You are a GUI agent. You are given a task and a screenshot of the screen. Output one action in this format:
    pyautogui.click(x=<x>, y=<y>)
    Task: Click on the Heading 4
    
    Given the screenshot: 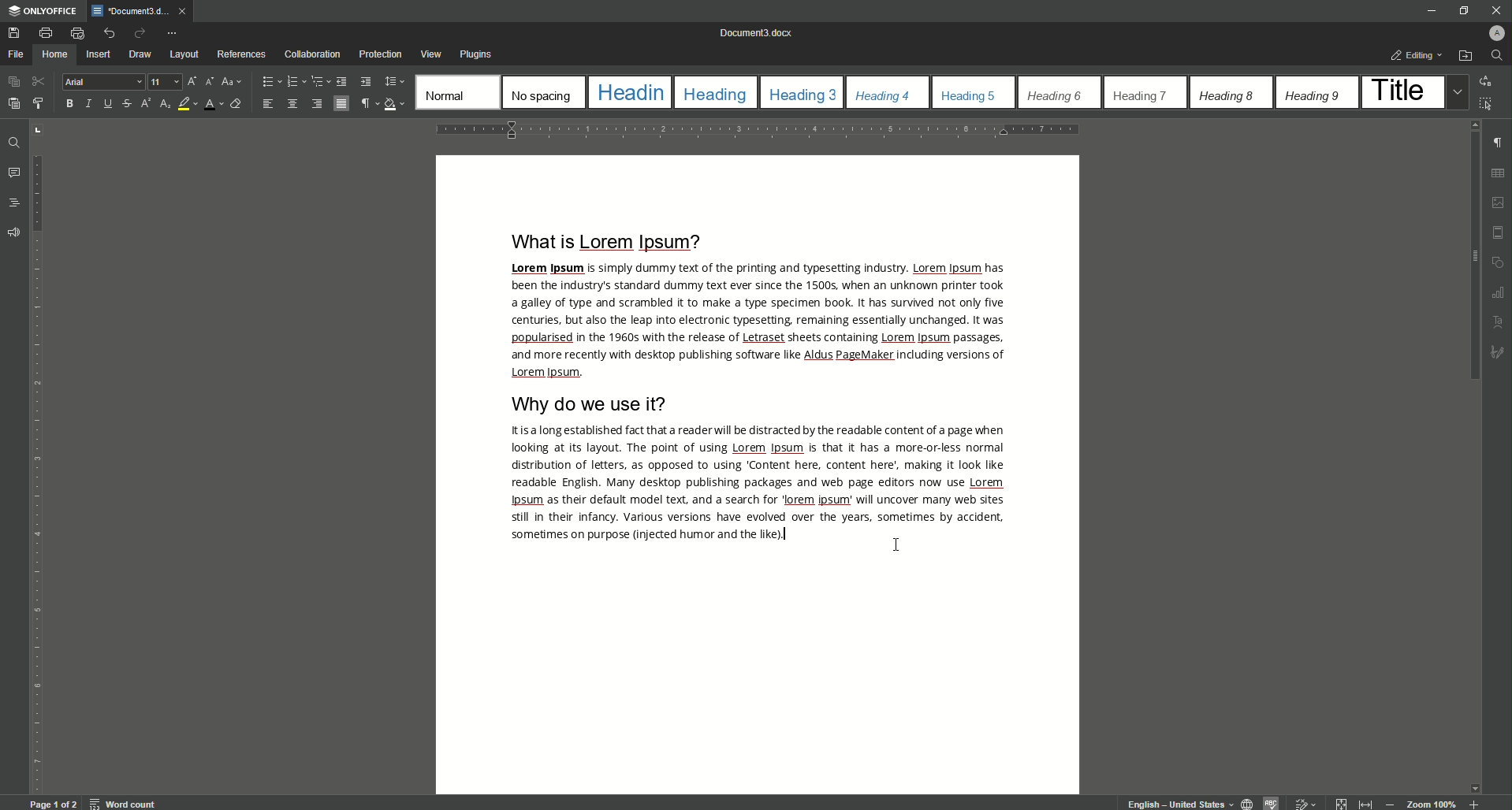 What is the action you would take?
    pyautogui.click(x=883, y=94)
    